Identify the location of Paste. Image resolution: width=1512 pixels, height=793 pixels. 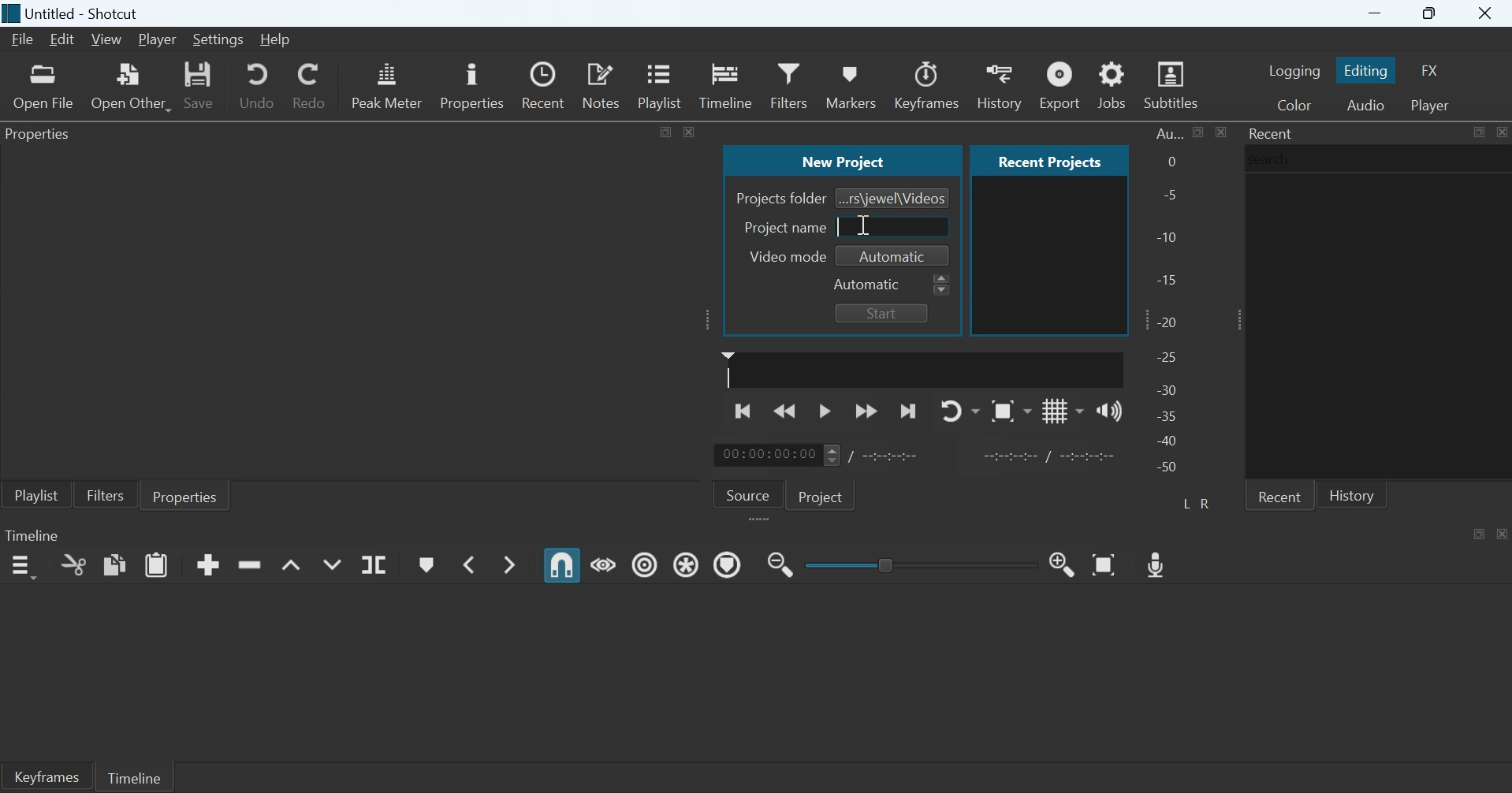
(157, 564).